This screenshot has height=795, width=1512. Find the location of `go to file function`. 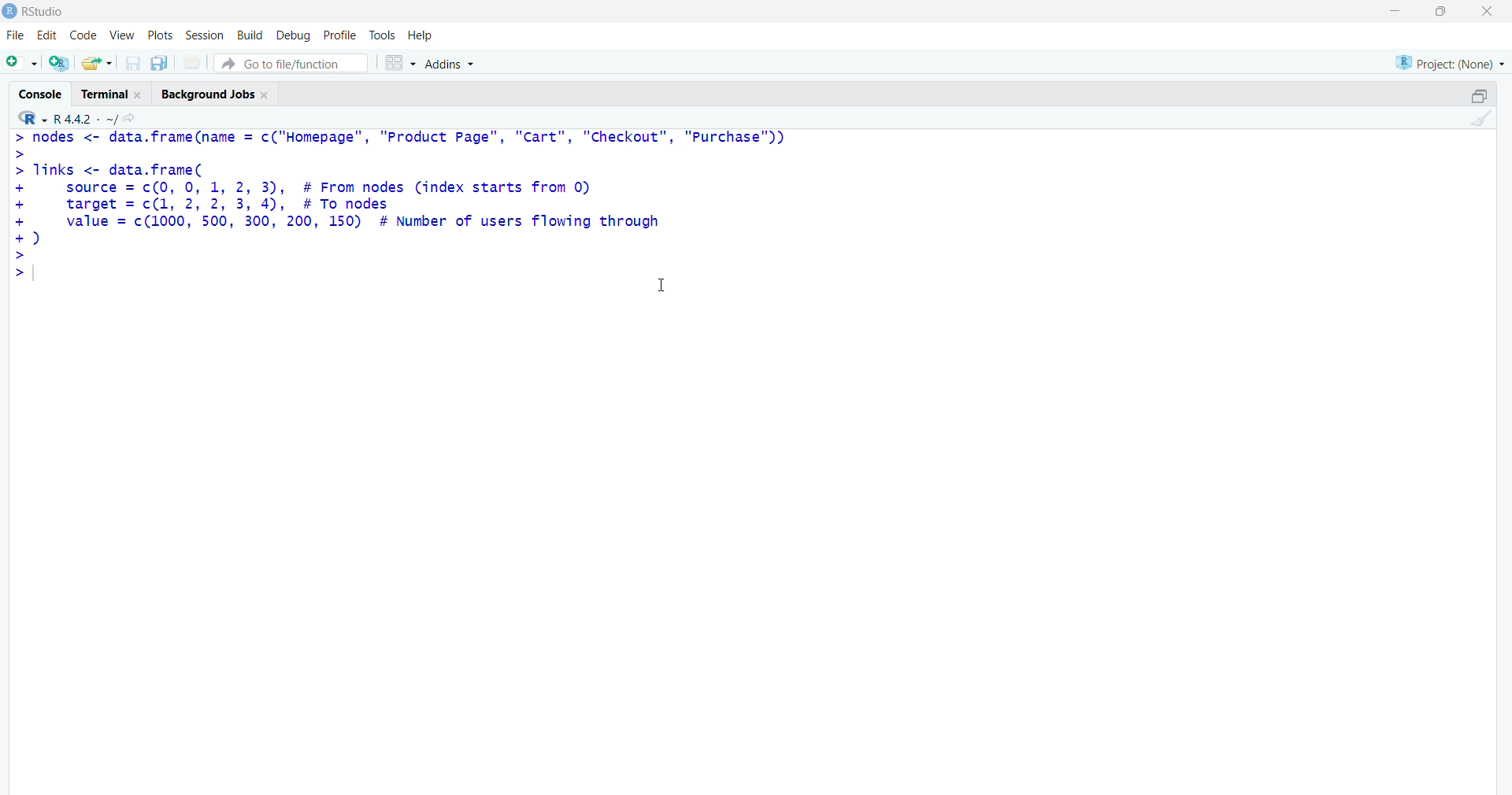

go to file function is located at coordinates (291, 63).